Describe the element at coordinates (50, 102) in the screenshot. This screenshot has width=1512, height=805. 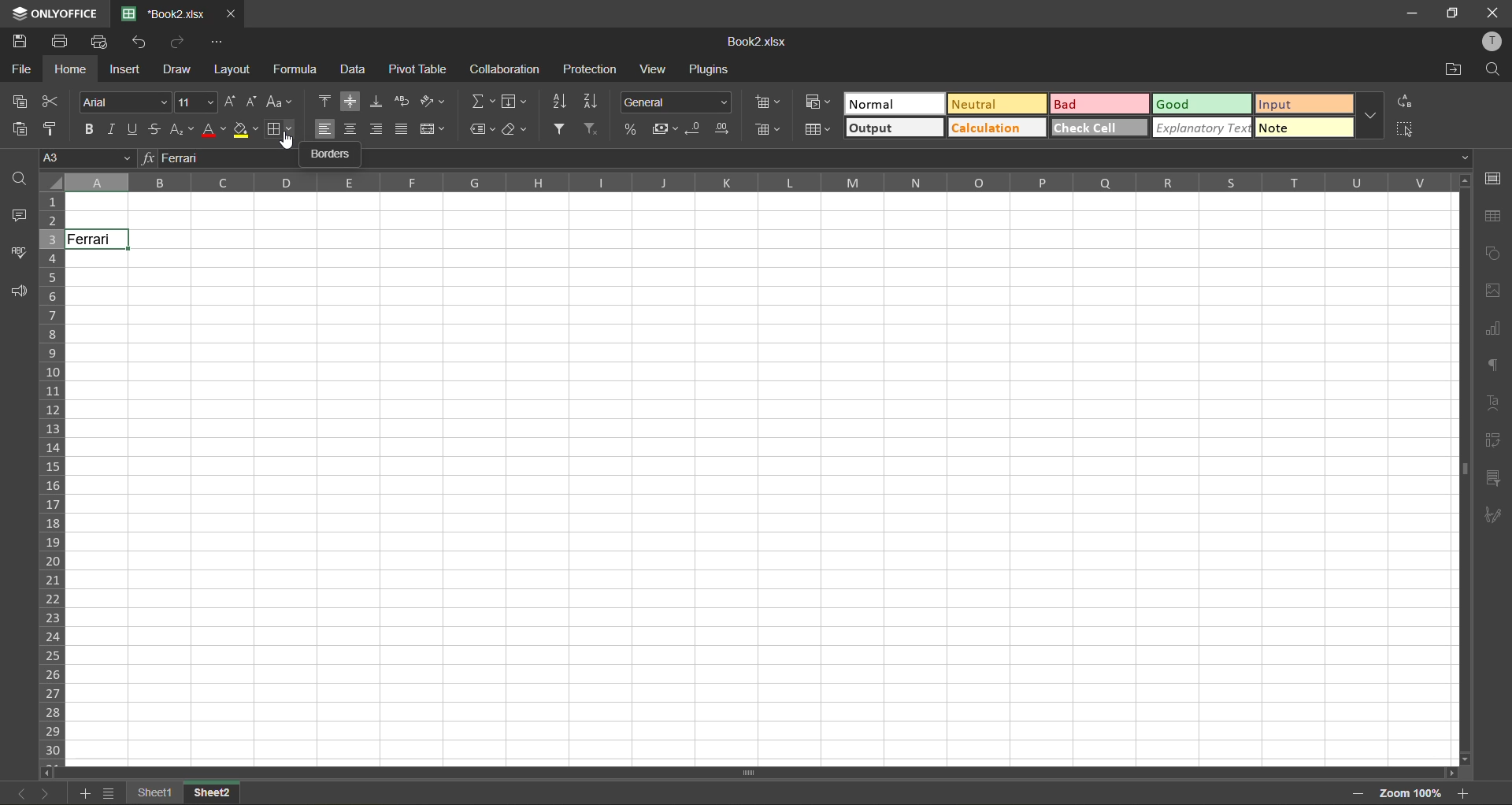
I see `cut` at that location.